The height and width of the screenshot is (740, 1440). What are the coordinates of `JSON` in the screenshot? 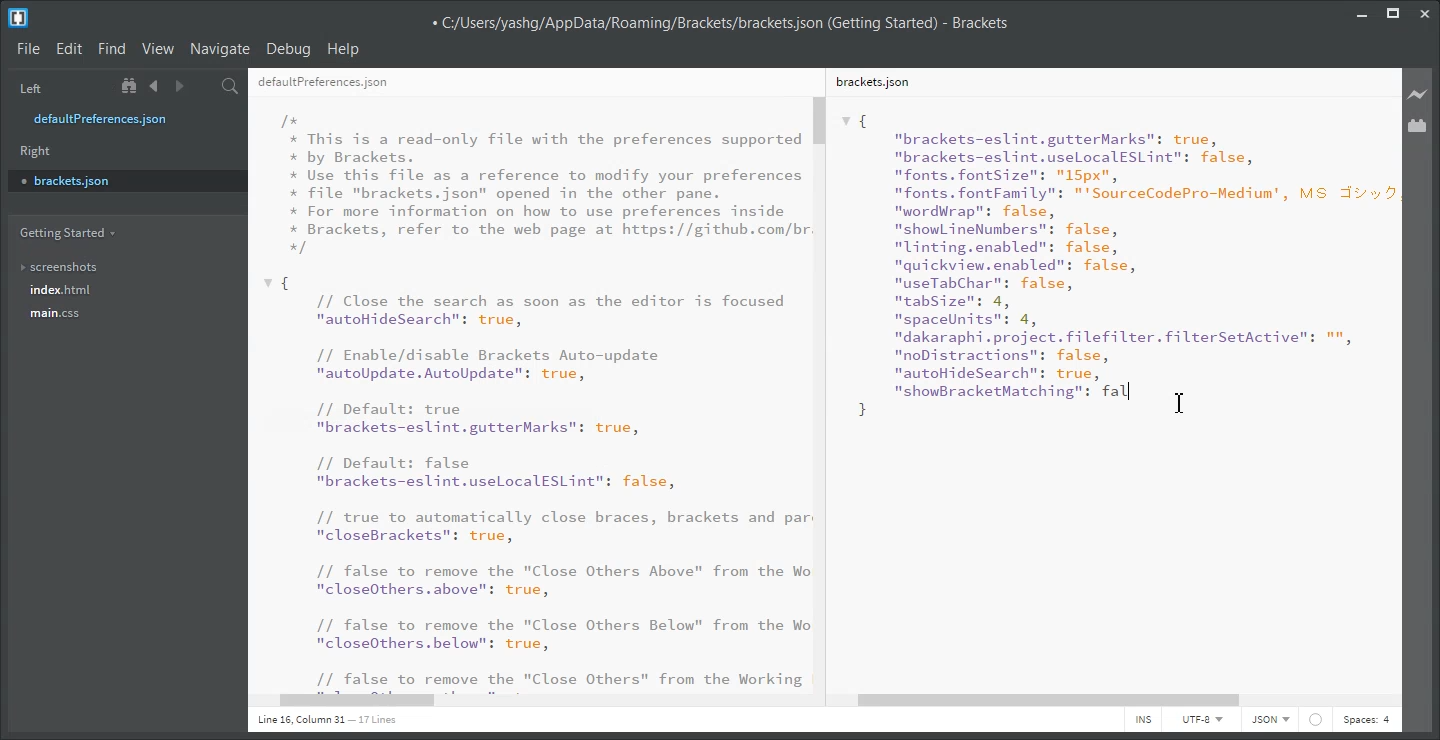 It's located at (1271, 720).